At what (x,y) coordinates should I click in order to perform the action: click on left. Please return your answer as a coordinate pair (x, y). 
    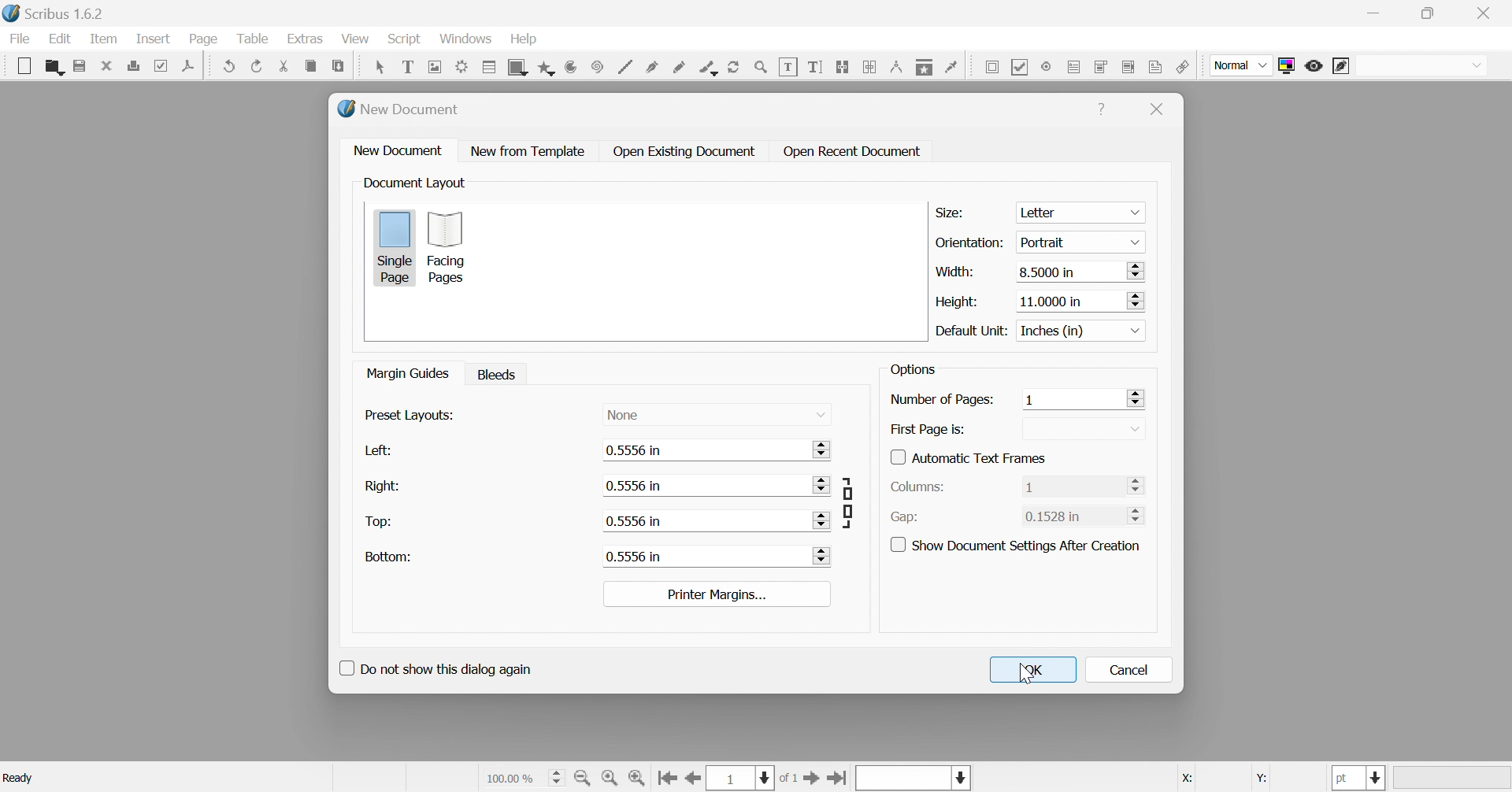
    Looking at the image, I should click on (367, 452).